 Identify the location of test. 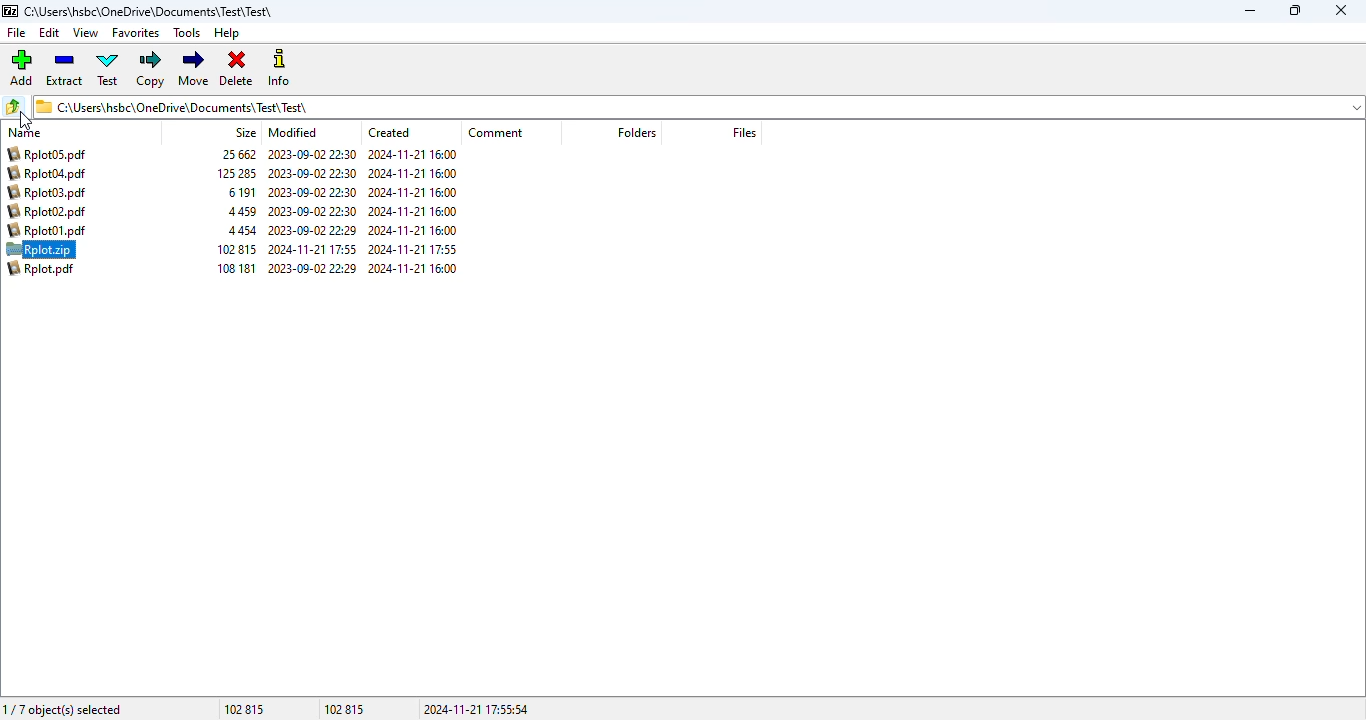
(108, 69).